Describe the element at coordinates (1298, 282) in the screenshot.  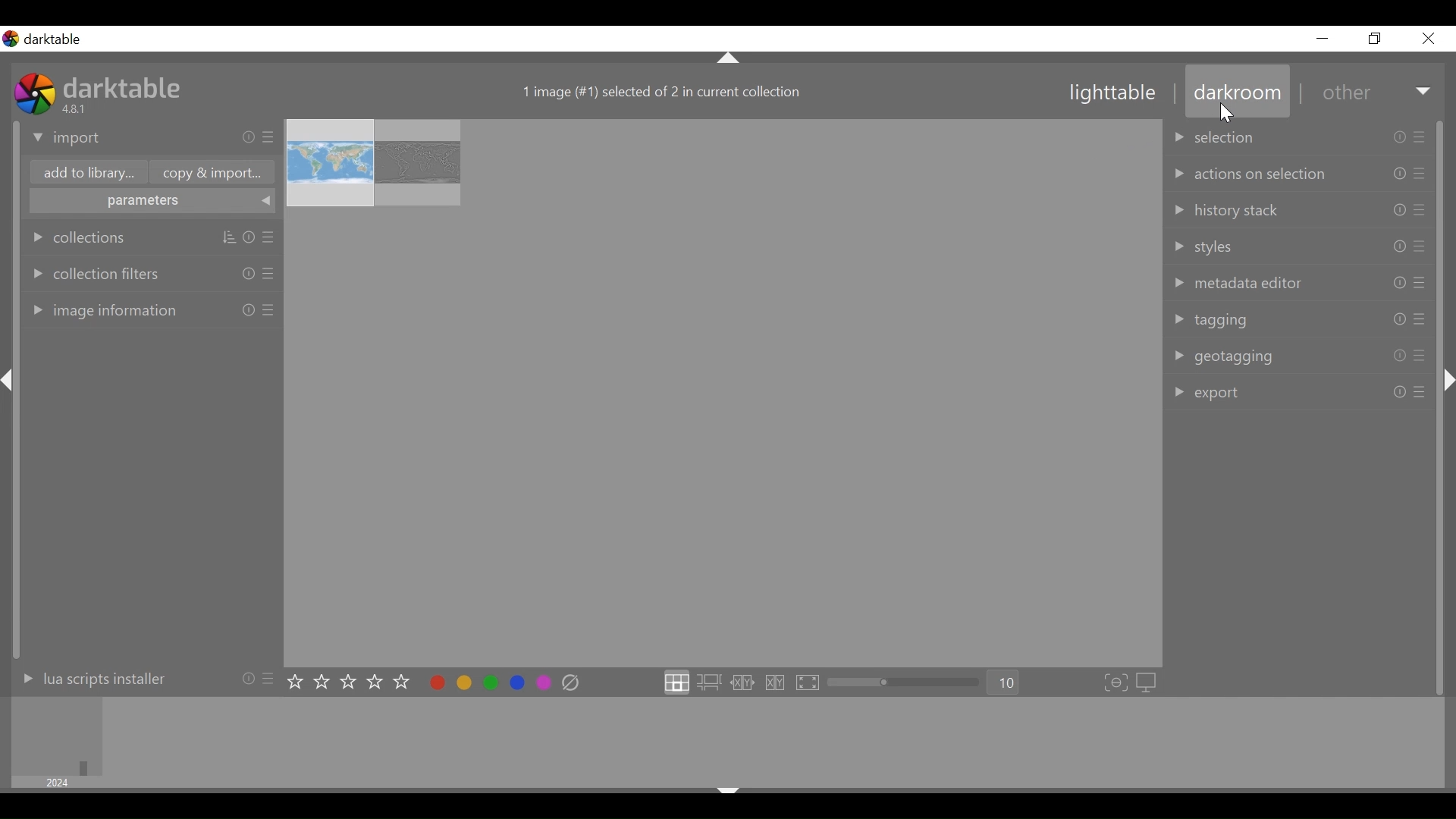
I see `metadata editor` at that location.